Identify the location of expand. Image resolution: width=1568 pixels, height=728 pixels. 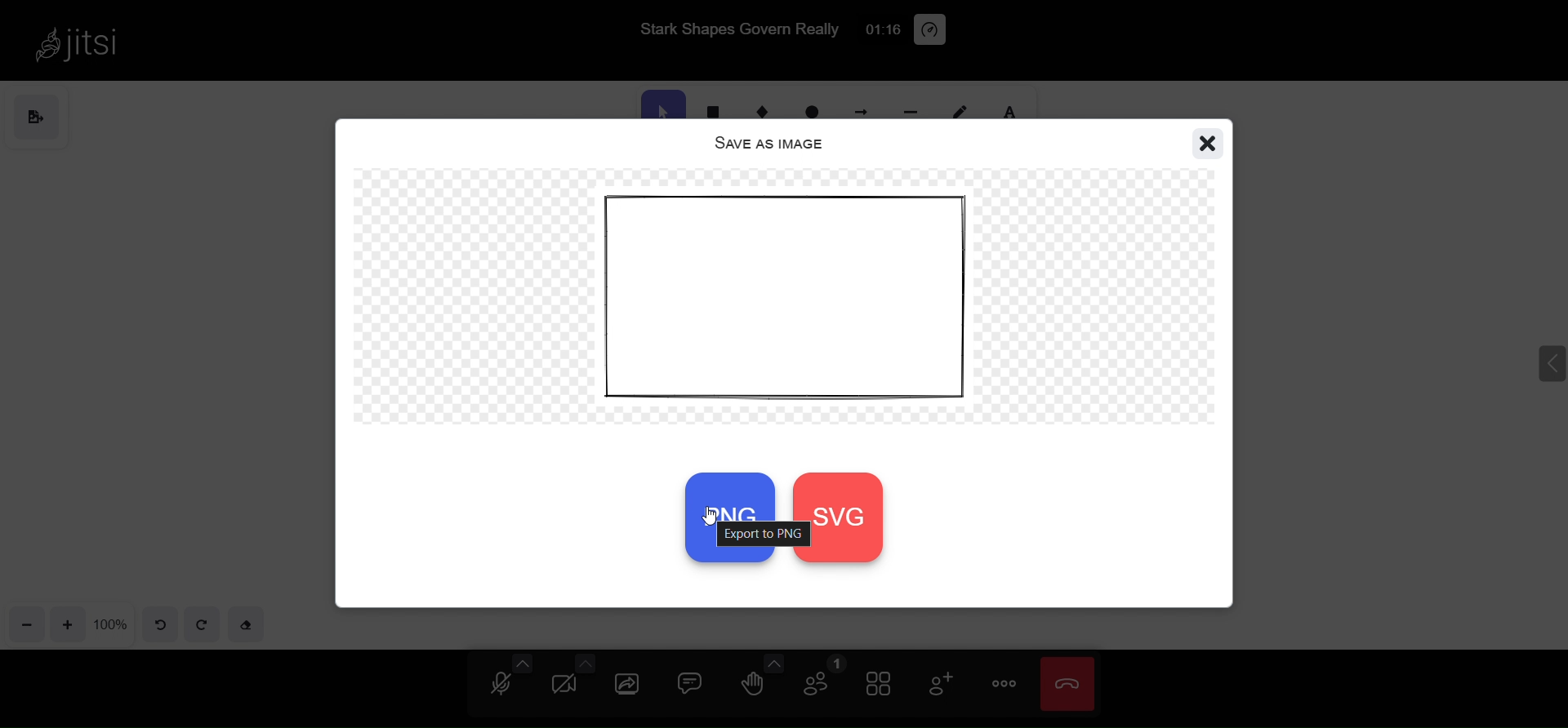
(1540, 355).